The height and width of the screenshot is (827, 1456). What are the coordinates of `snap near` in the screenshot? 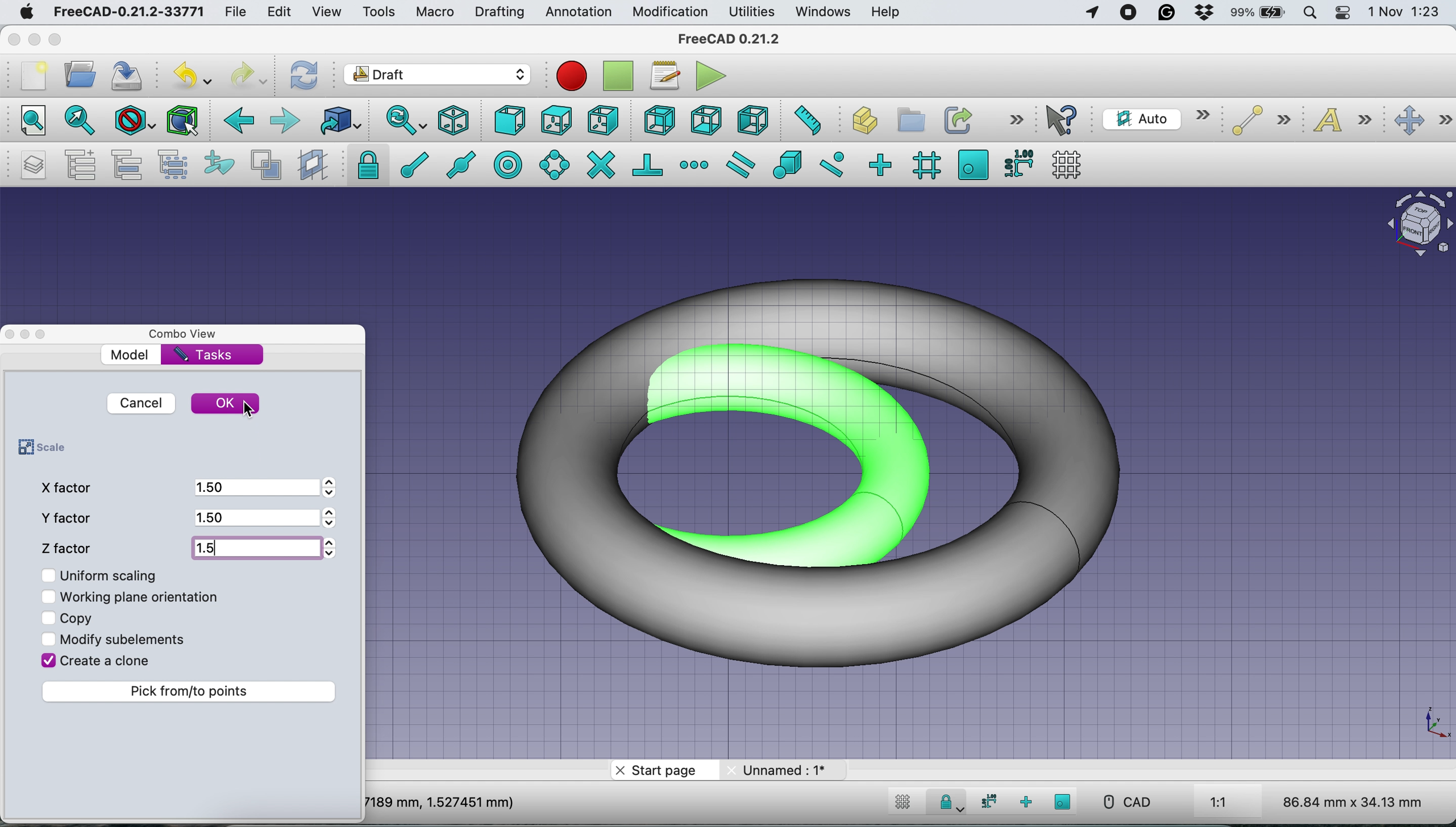 It's located at (833, 164).